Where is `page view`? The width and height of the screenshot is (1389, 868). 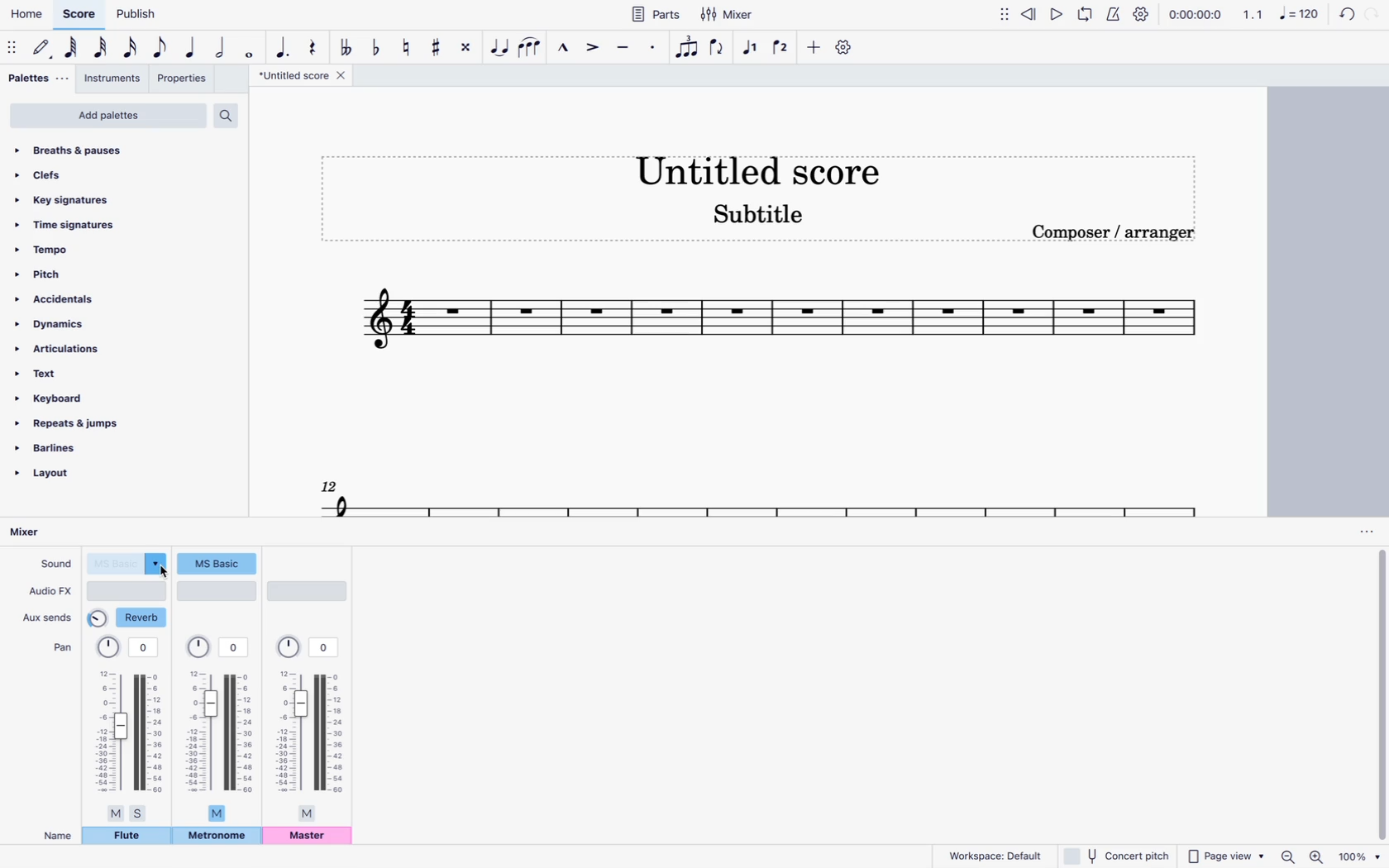 page view is located at coordinates (1225, 853).